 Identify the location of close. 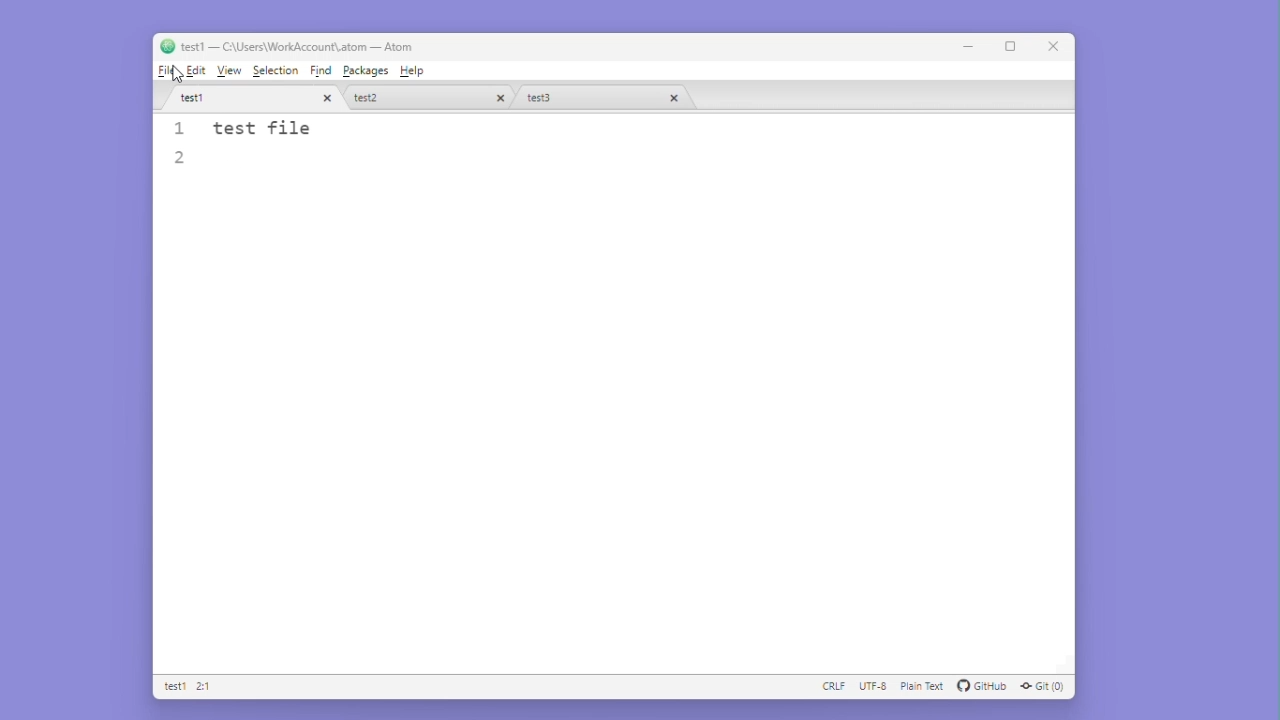
(496, 98).